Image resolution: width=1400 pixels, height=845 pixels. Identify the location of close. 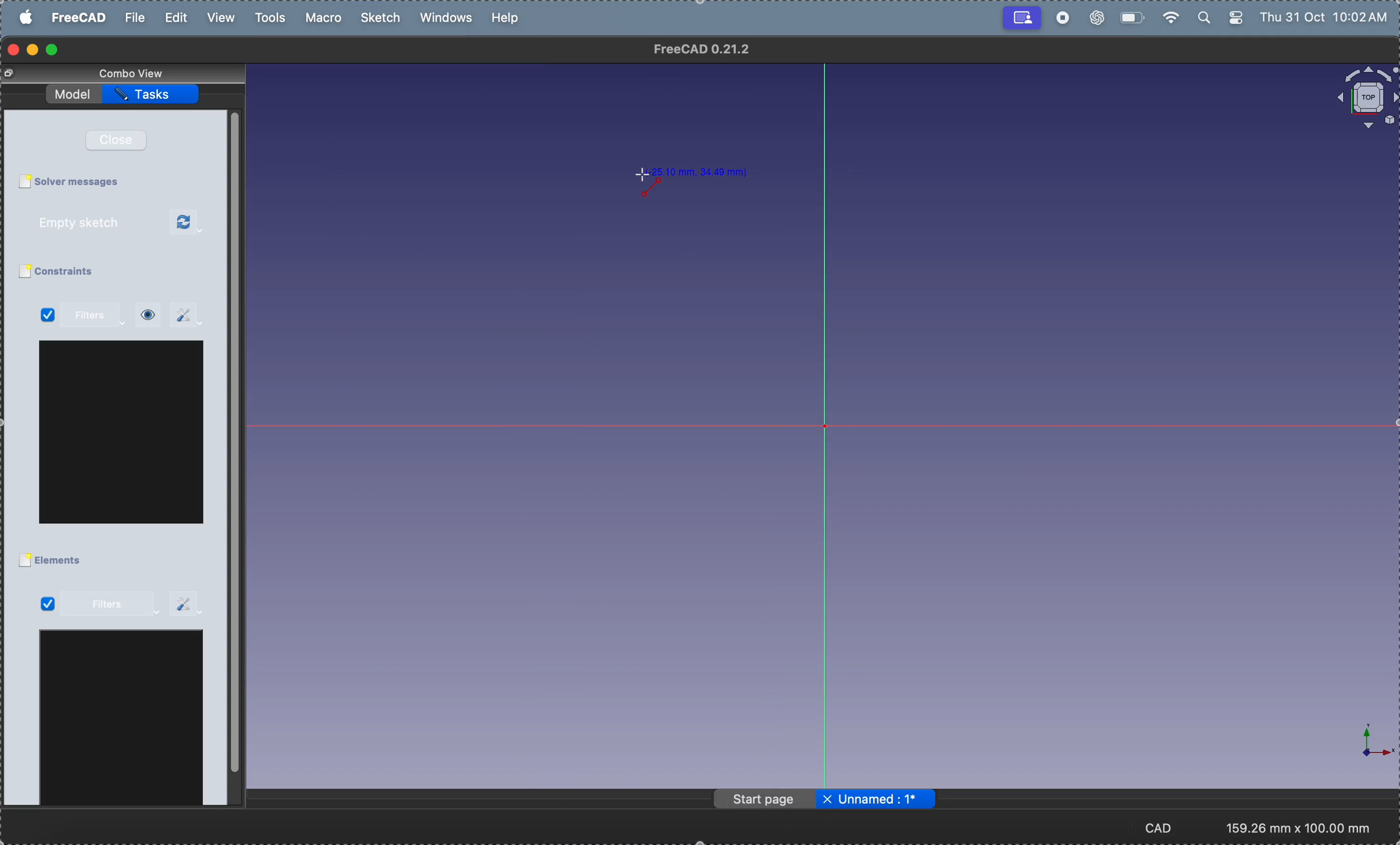
(122, 140).